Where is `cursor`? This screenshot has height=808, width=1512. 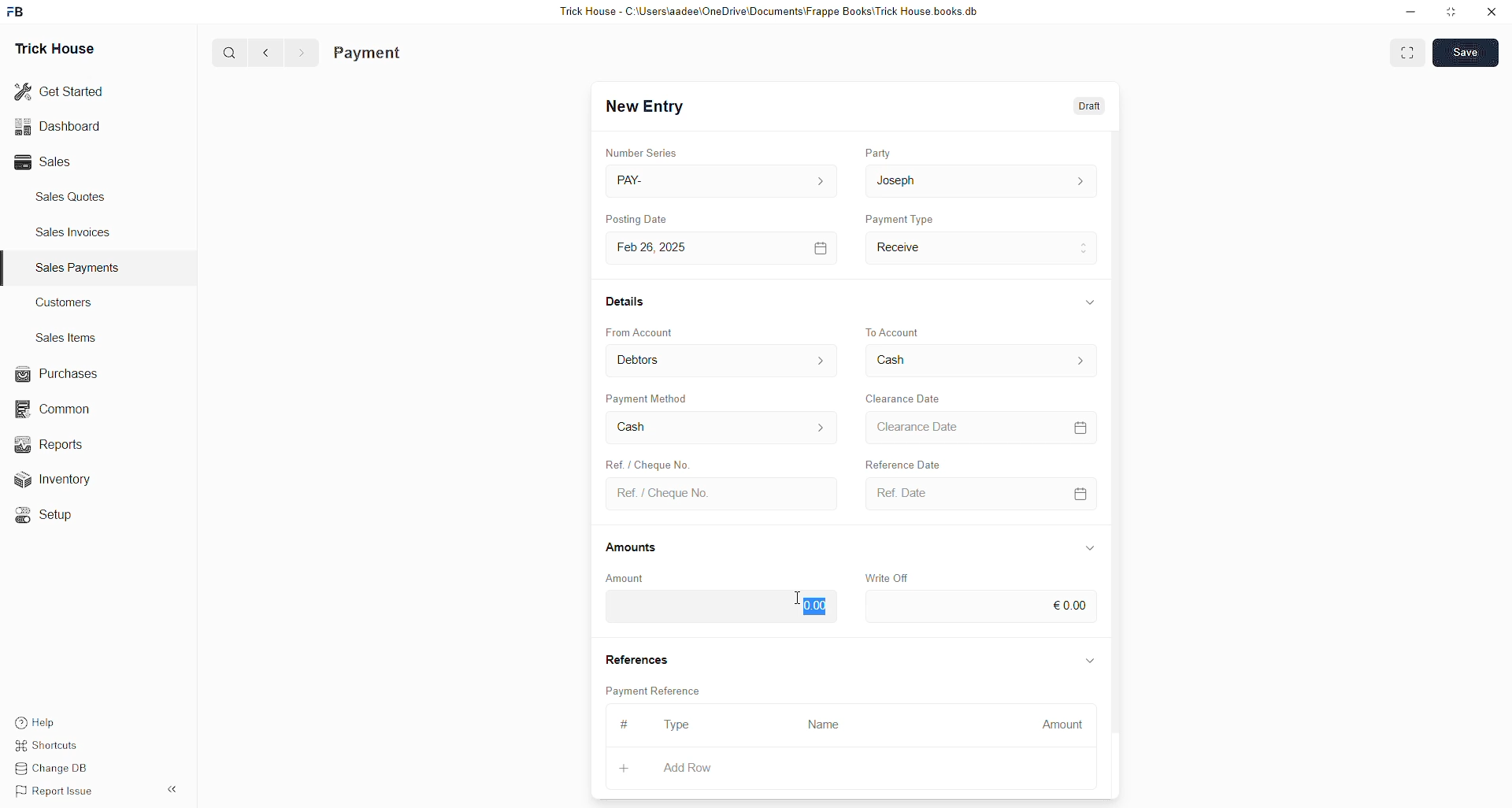
cursor is located at coordinates (798, 597).